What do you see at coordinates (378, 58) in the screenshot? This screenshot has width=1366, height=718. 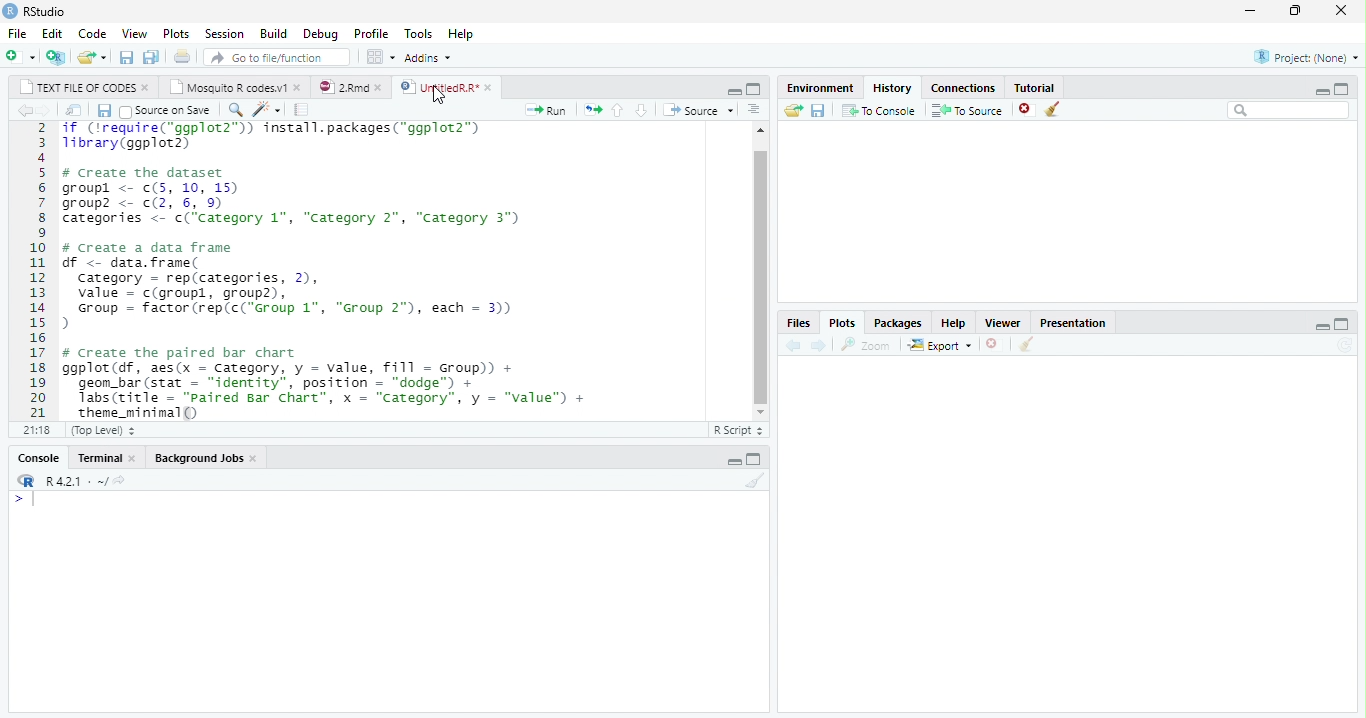 I see `workspace panes` at bounding box center [378, 58].